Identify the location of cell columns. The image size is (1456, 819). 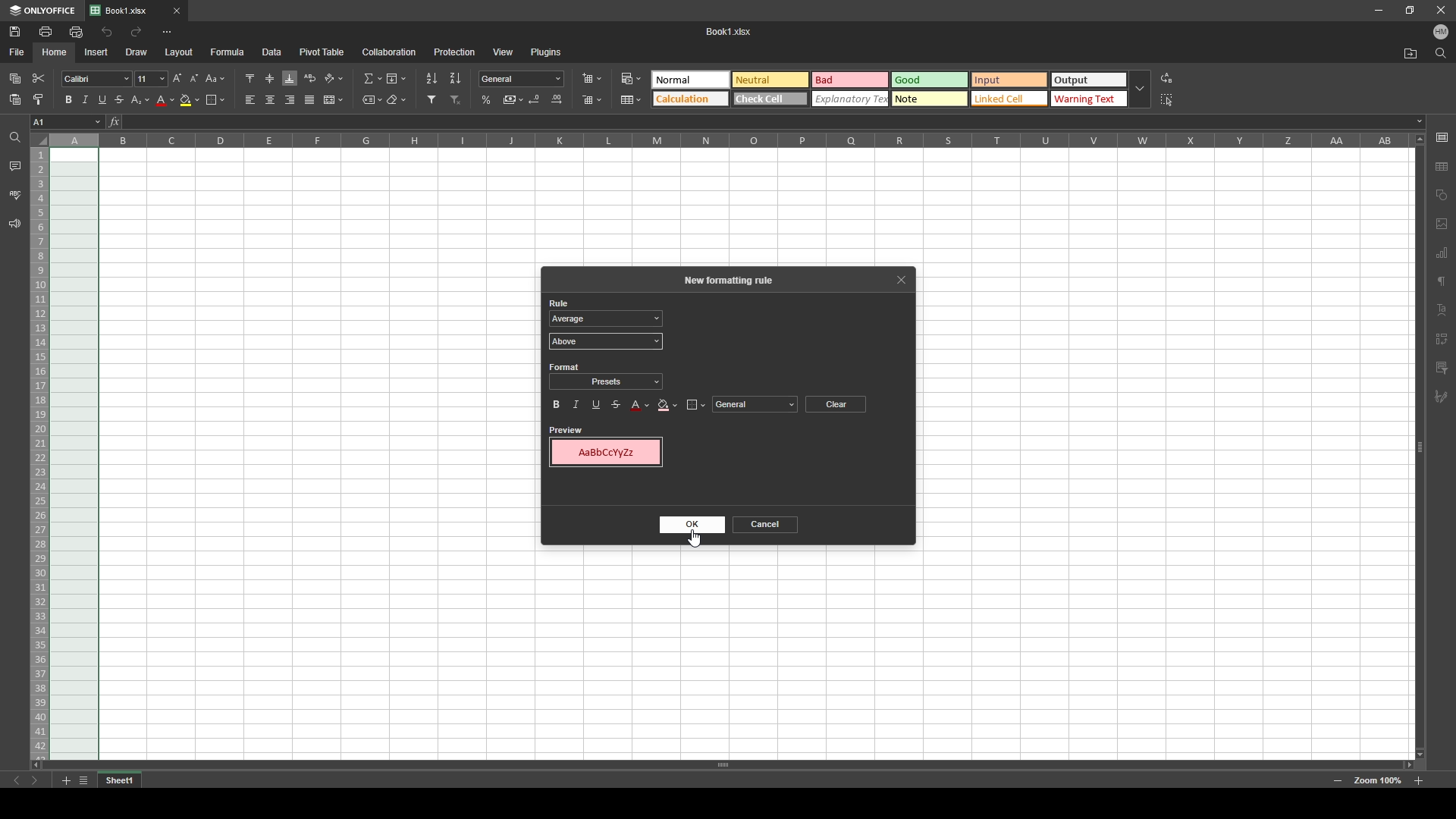
(728, 140).